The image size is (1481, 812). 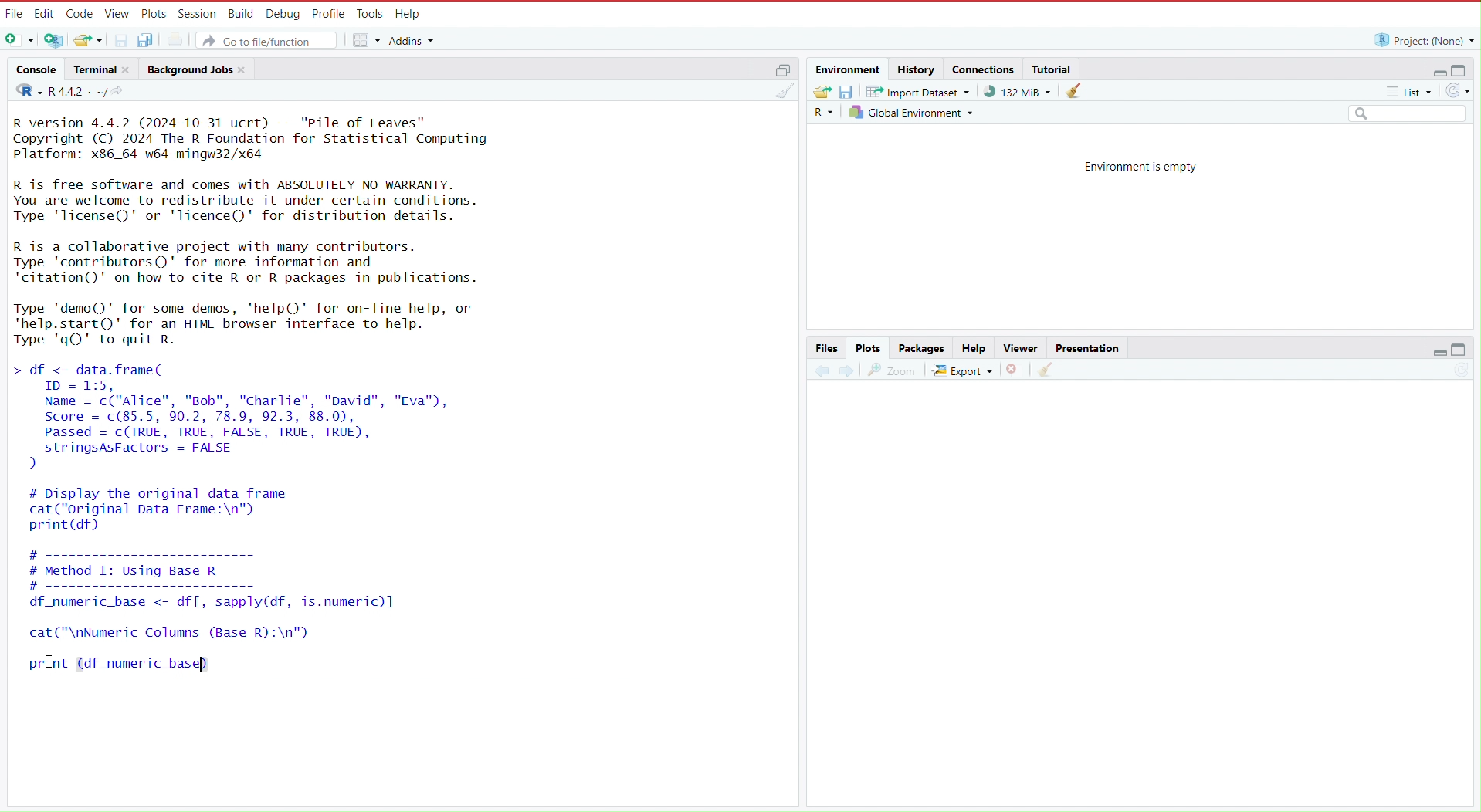 What do you see at coordinates (1409, 112) in the screenshot?
I see `Search field` at bounding box center [1409, 112].